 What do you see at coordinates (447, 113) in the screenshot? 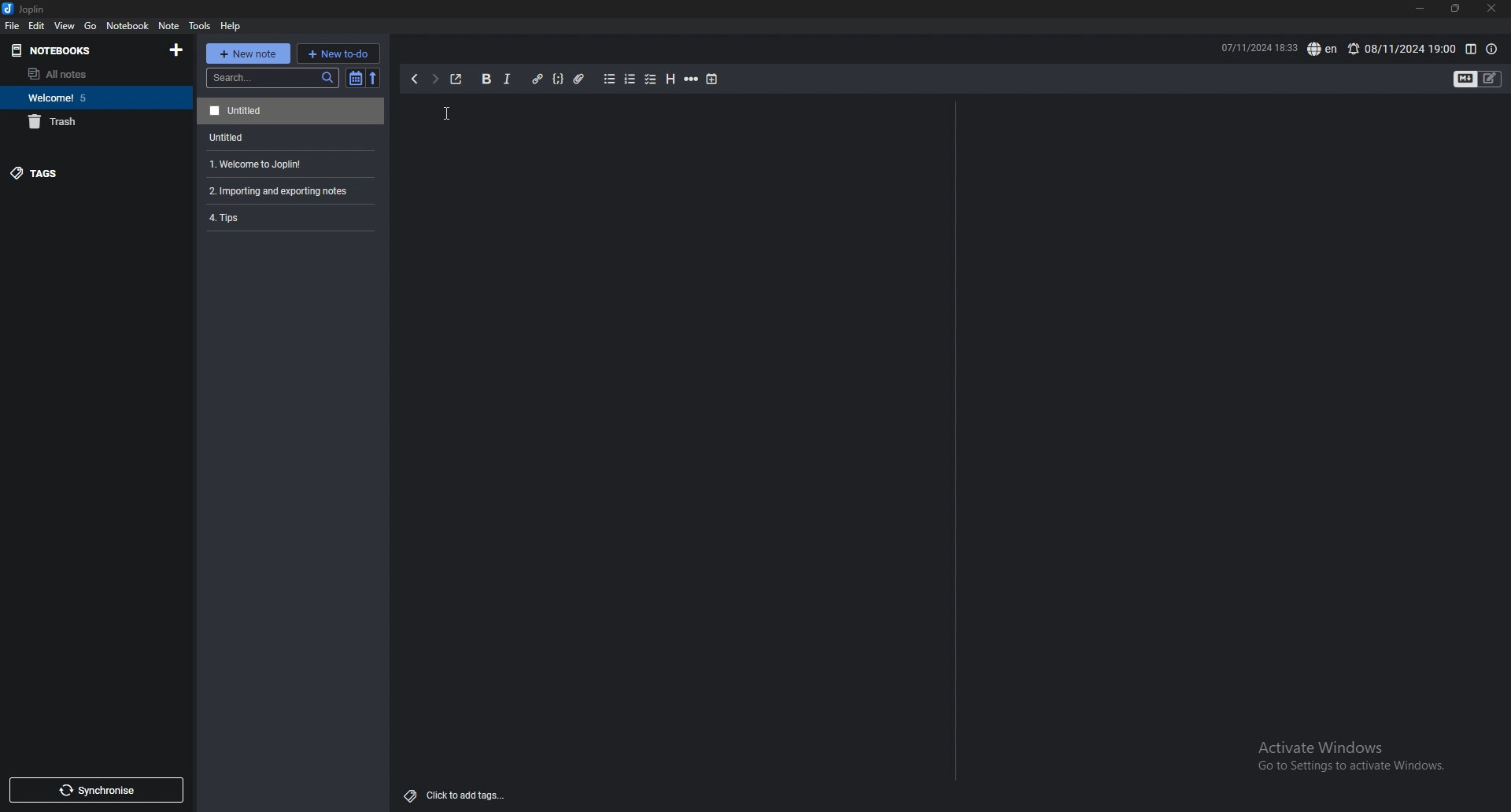
I see `Cursor` at bounding box center [447, 113].